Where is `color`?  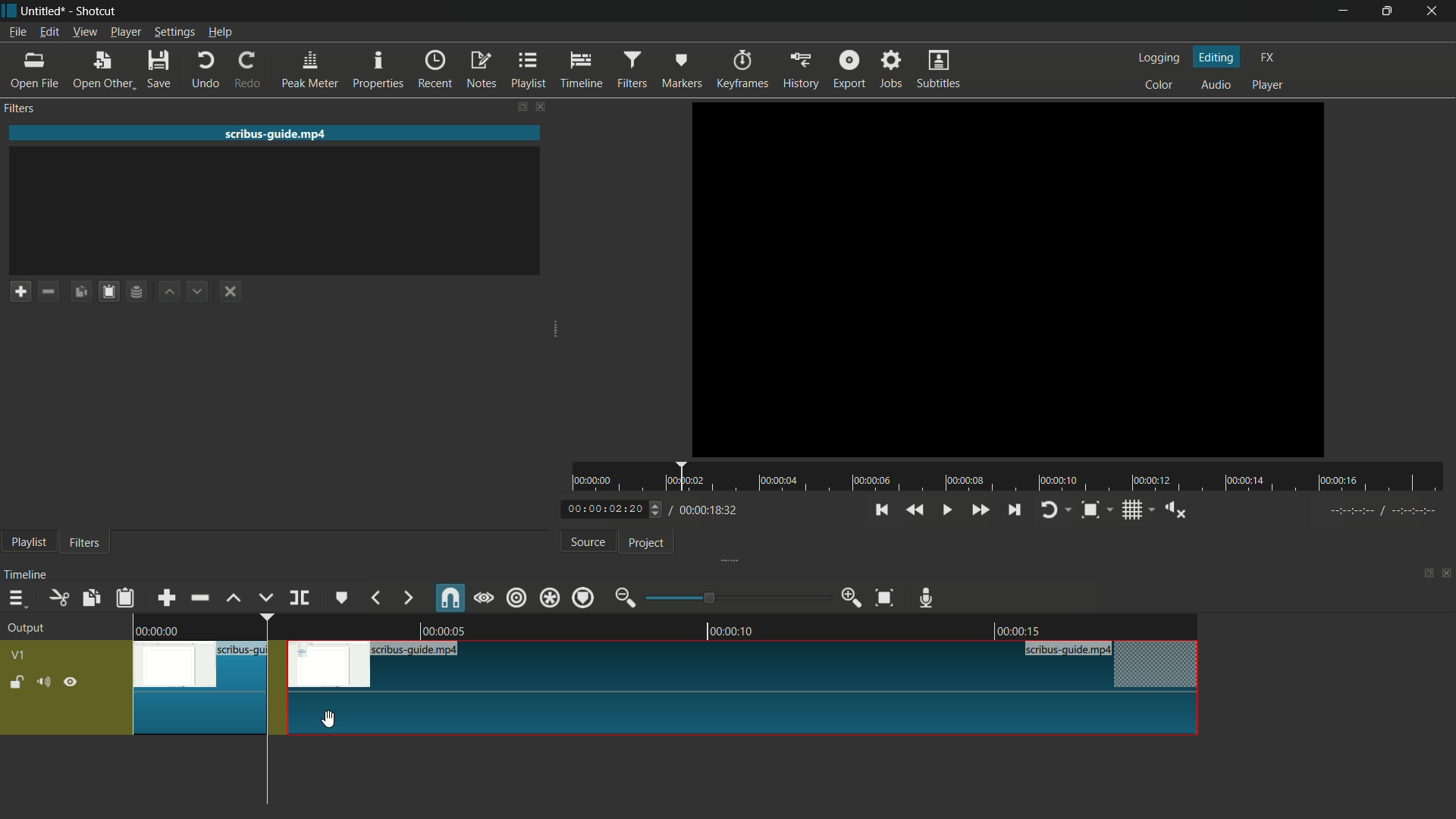
color is located at coordinates (1159, 83).